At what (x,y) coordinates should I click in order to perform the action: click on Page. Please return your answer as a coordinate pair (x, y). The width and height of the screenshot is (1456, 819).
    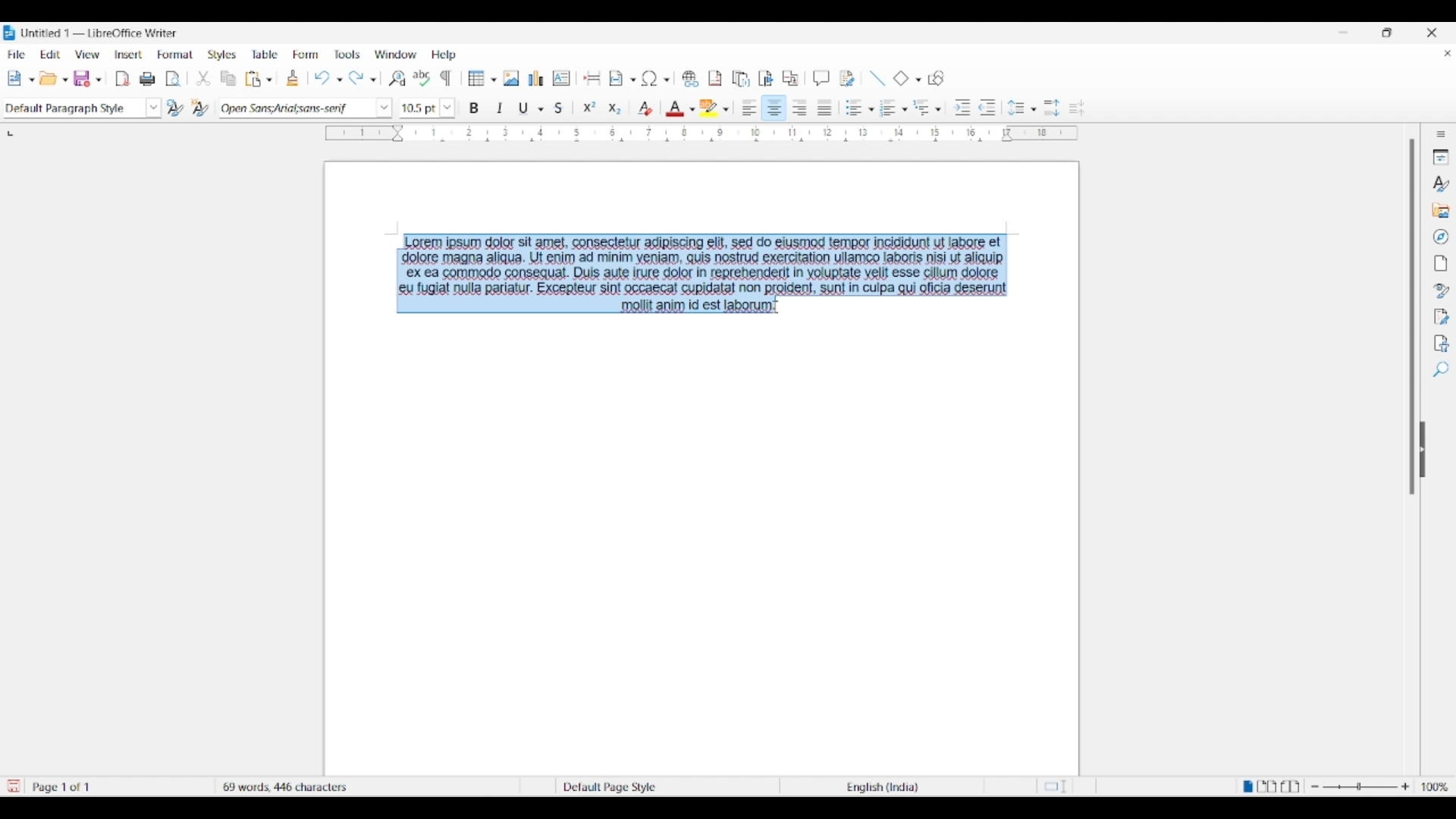
    Looking at the image, I should click on (1440, 263).